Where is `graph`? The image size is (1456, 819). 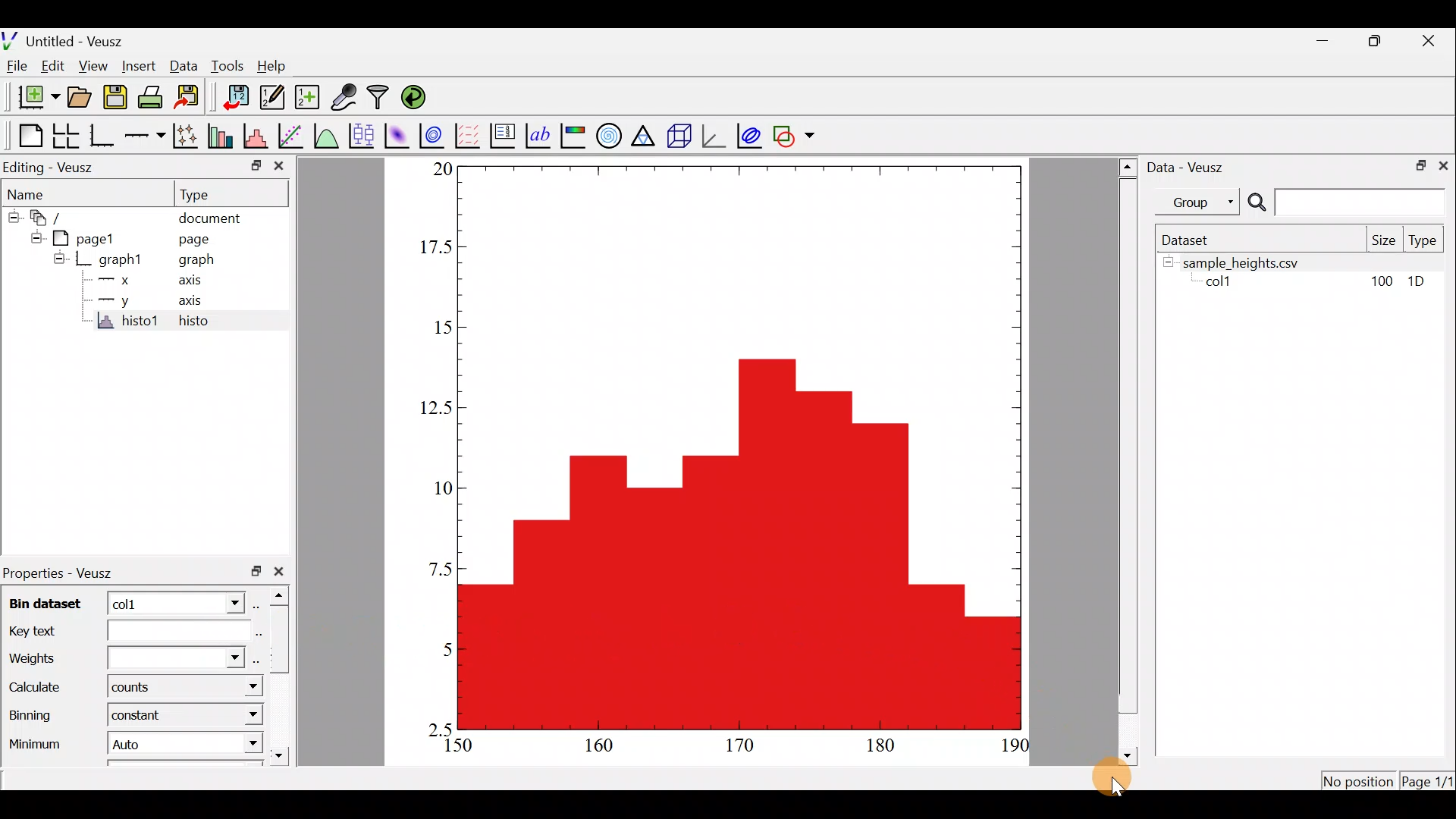
graph is located at coordinates (191, 259).